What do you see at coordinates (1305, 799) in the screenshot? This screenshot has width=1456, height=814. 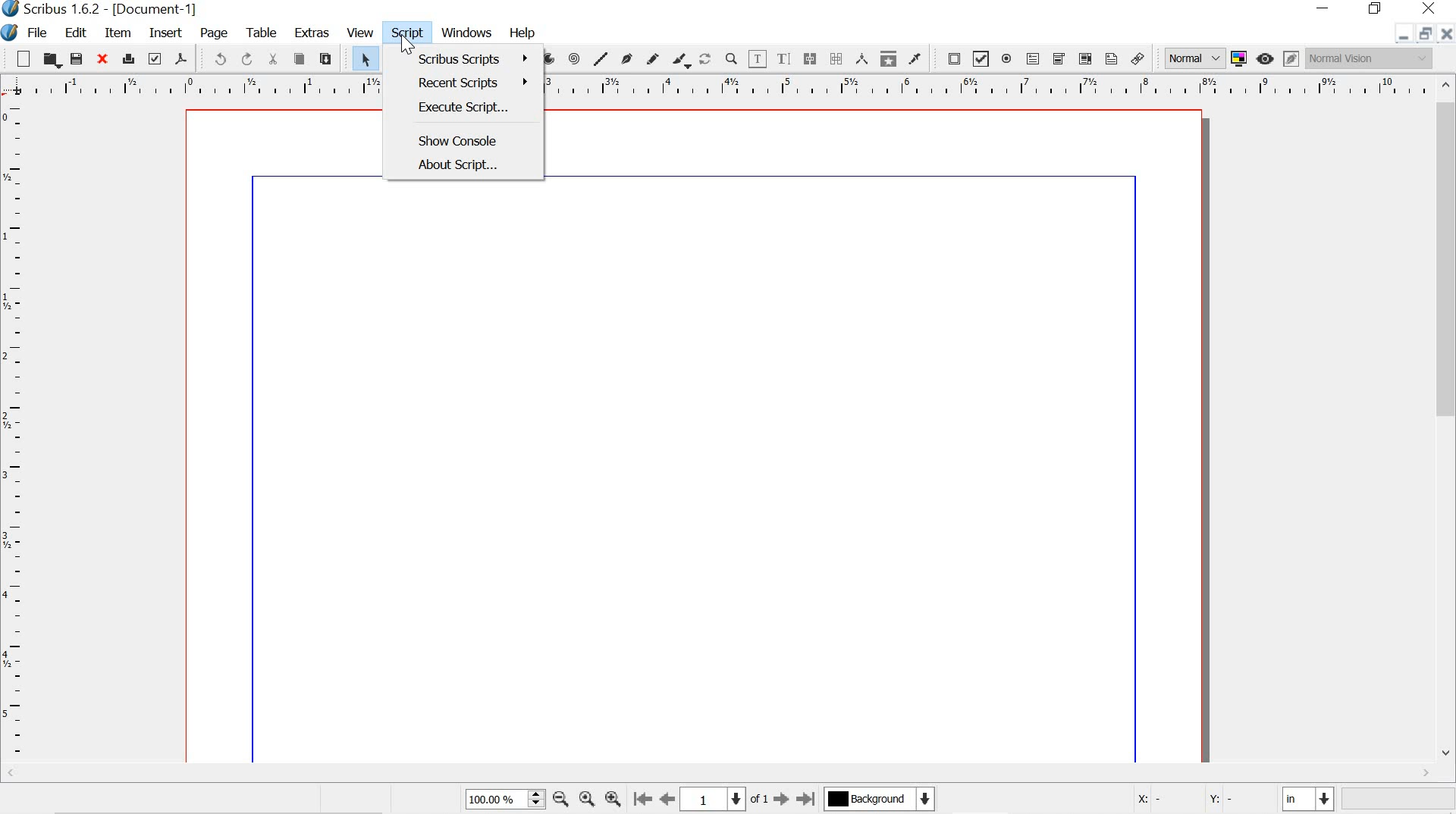 I see `current unit` at bounding box center [1305, 799].